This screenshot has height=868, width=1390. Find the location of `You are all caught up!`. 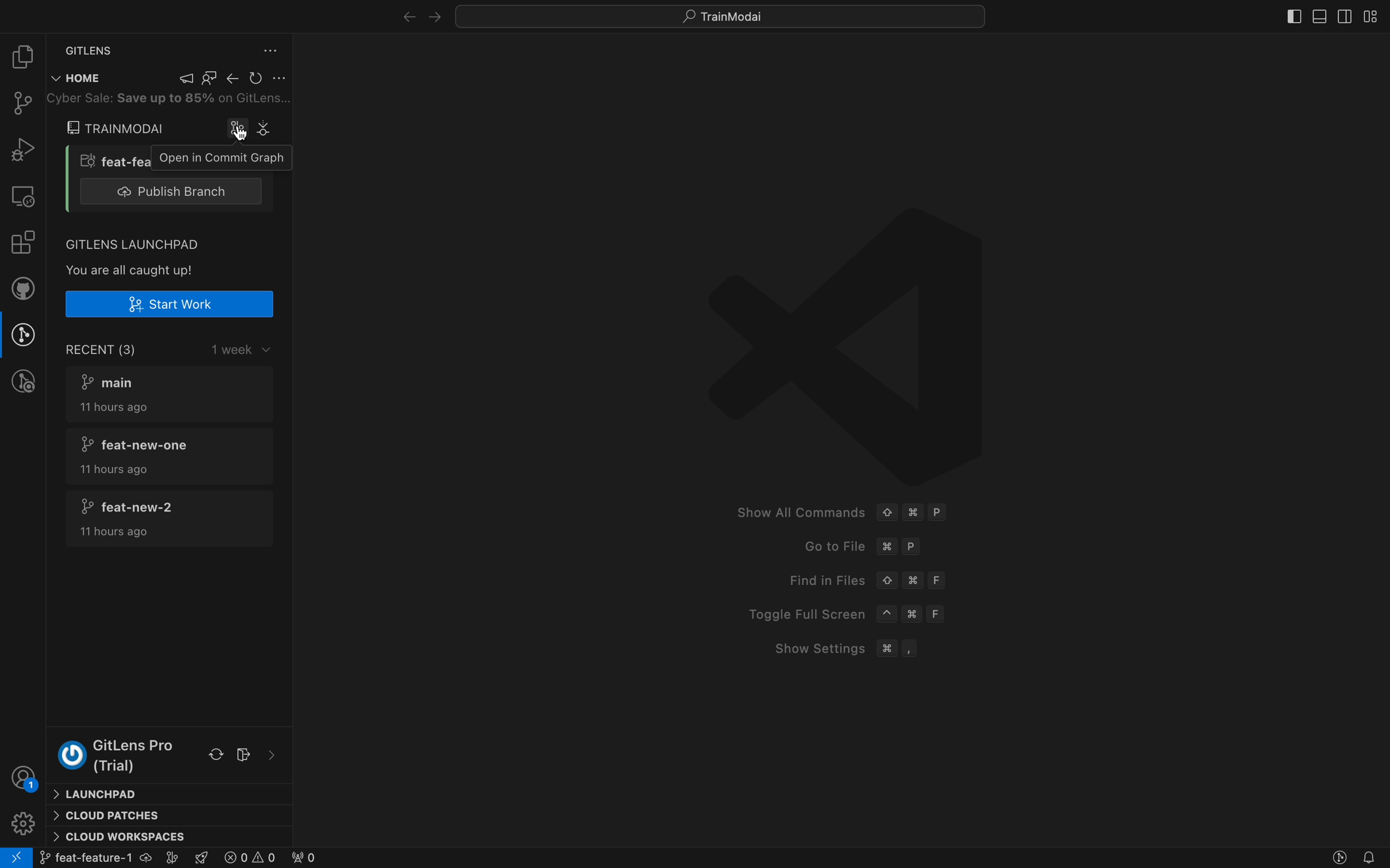

You are all caught up! is located at coordinates (134, 269).